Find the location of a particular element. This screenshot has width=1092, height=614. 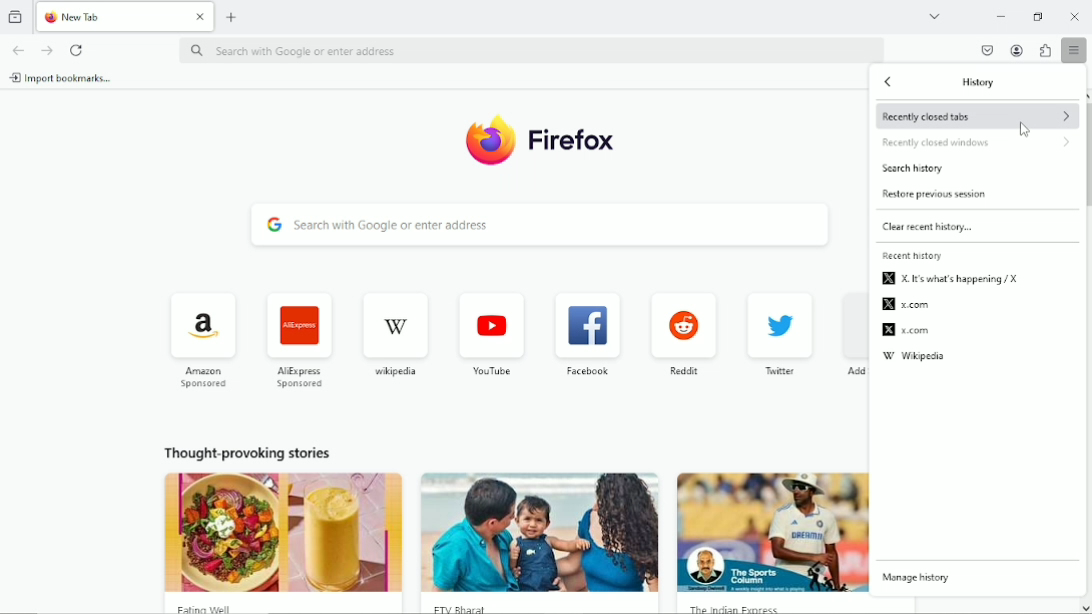

icon is located at coordinates (198, 328).